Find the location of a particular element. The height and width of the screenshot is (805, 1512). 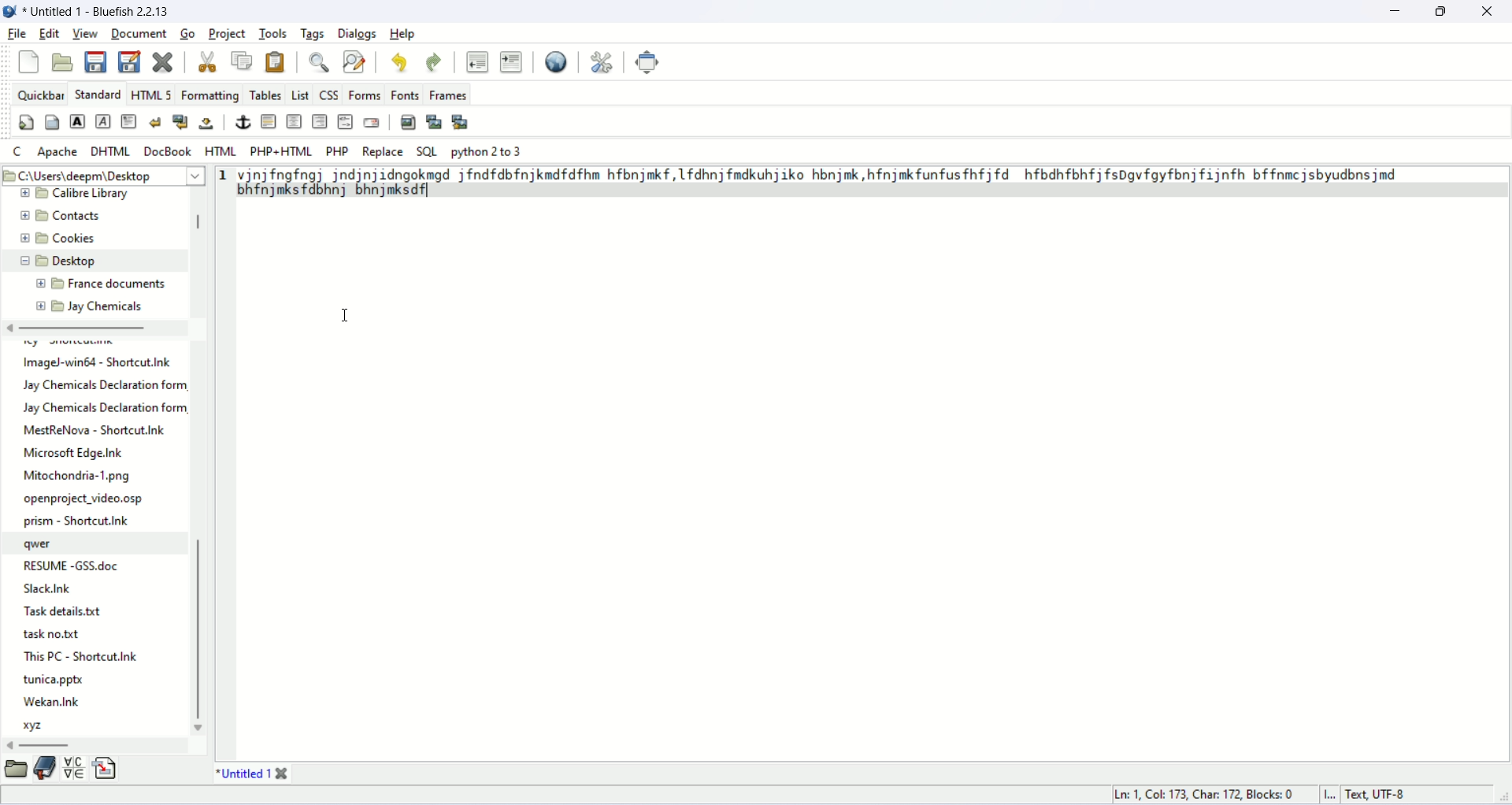

document is located at coordinates (138, 31).